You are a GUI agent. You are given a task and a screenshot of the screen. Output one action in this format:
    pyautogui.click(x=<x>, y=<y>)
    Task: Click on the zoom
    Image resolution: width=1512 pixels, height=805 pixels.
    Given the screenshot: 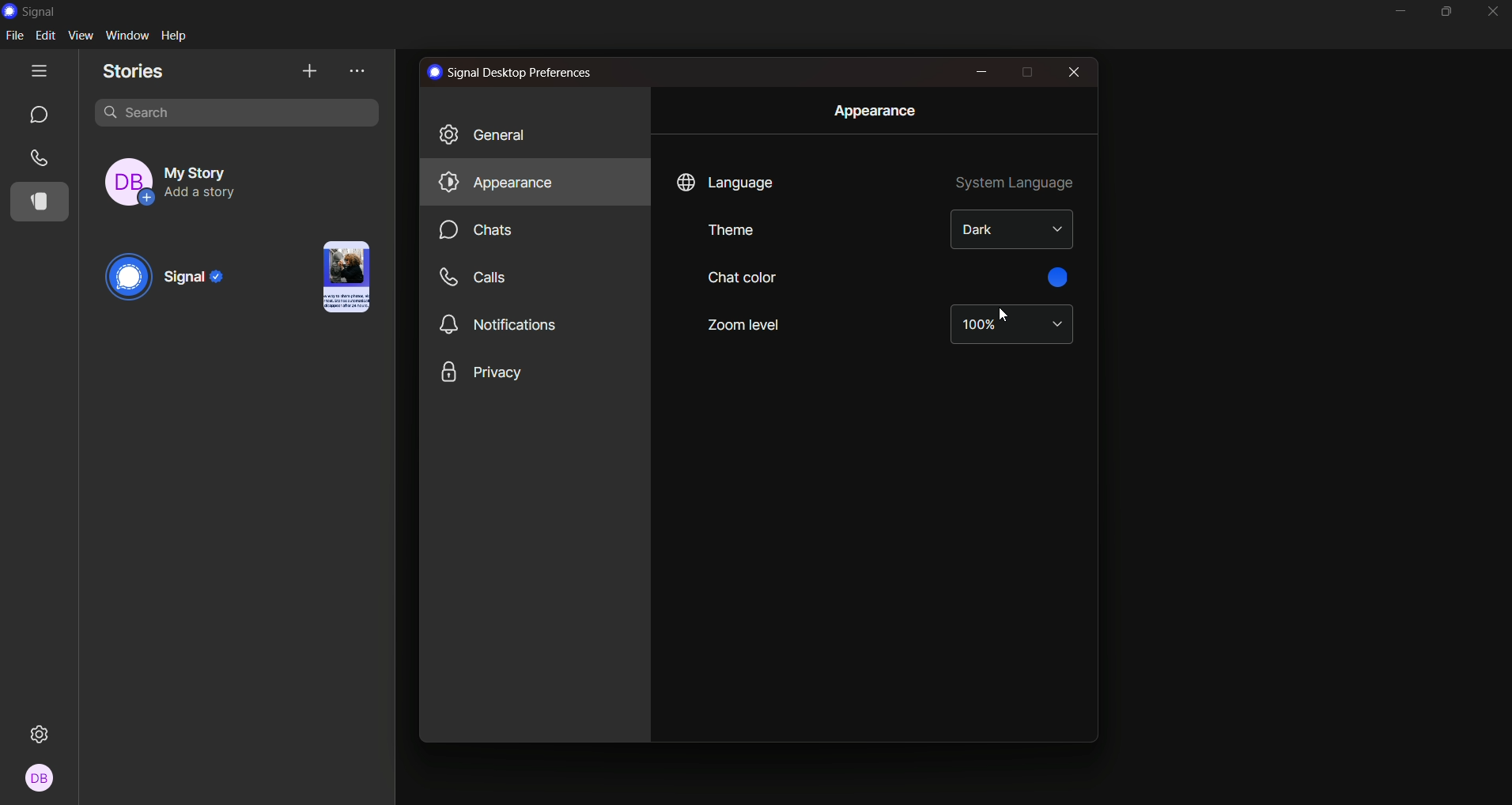 What is the action you would take?
    pyautogui.click(x=1009, y=325)
    